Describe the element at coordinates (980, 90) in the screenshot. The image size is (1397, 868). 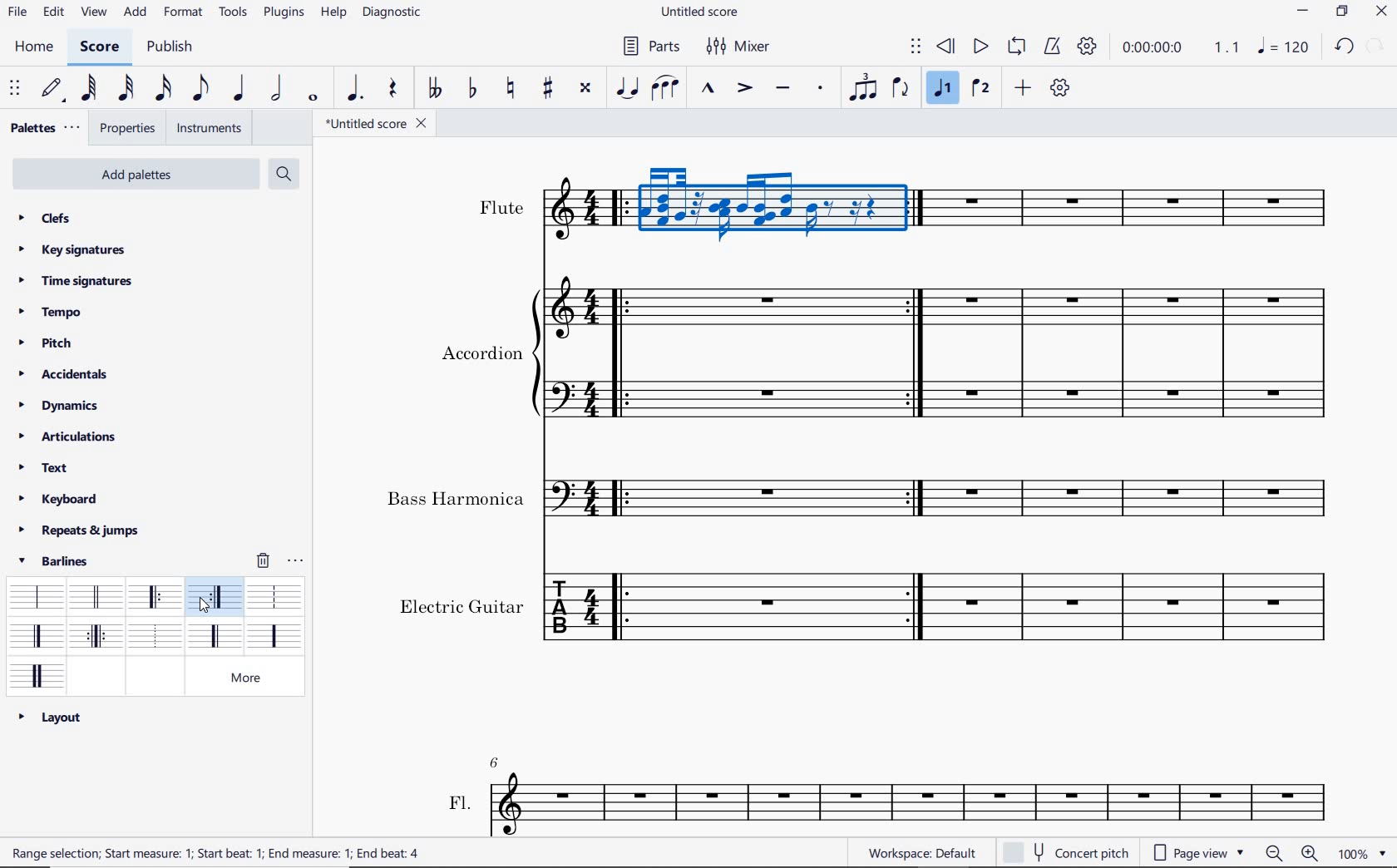
I see `voice 2` at that location.